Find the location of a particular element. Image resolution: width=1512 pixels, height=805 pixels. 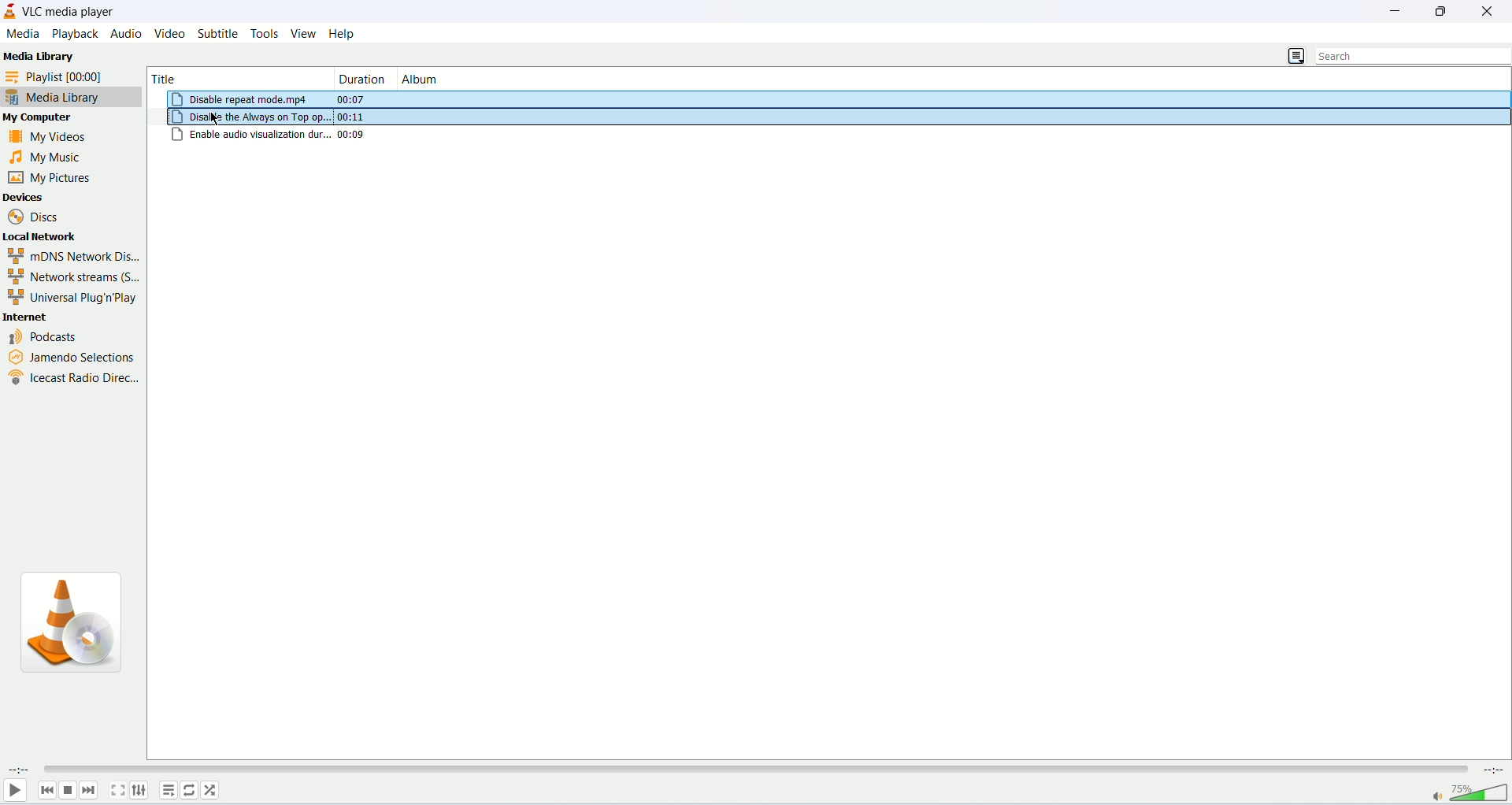

help is located at coordinates (343, 34).